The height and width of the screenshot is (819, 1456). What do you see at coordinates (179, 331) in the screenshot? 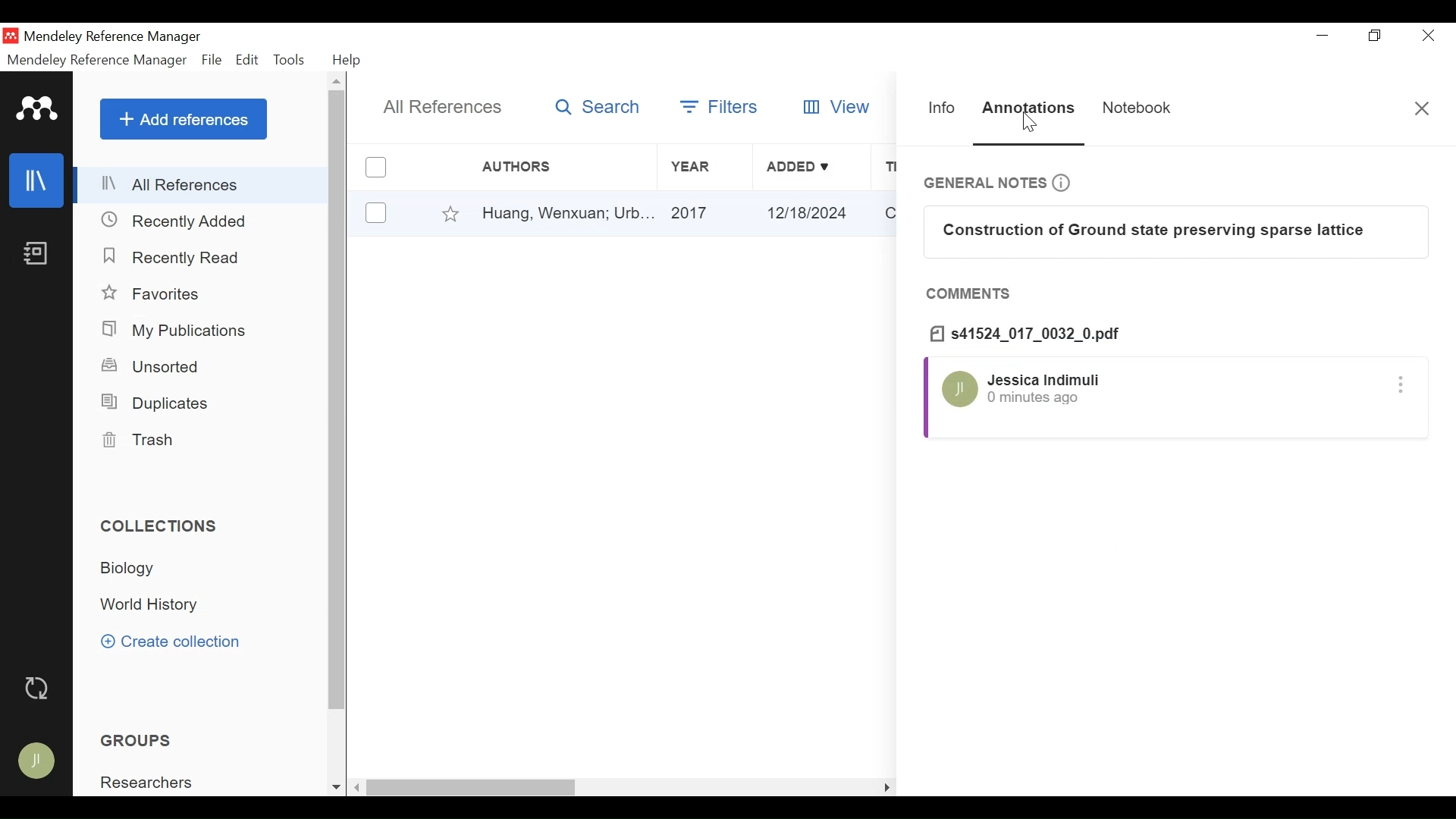
I see `My Publications` at bounding box center [179, 331].